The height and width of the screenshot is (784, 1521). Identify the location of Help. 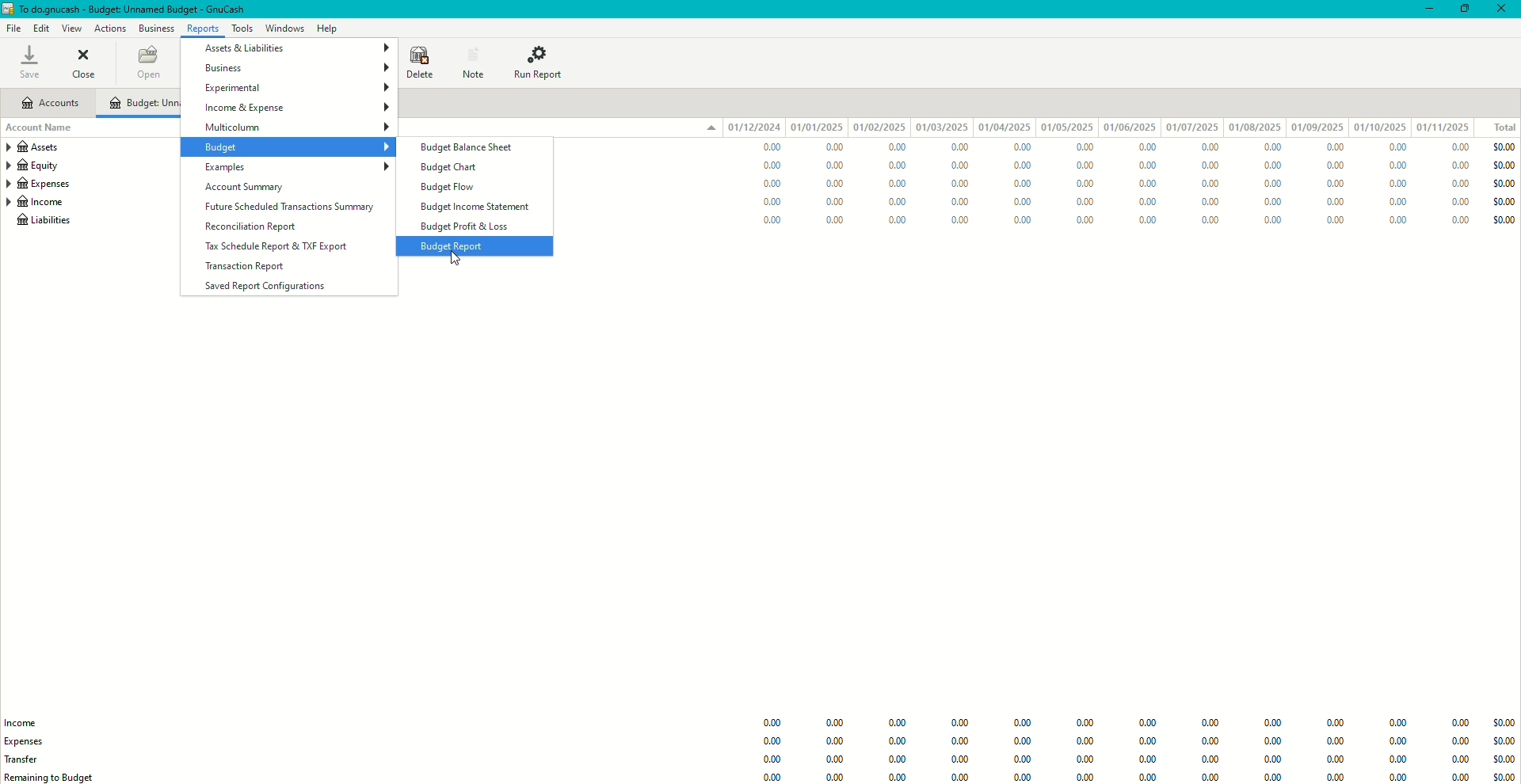
(328, 28).